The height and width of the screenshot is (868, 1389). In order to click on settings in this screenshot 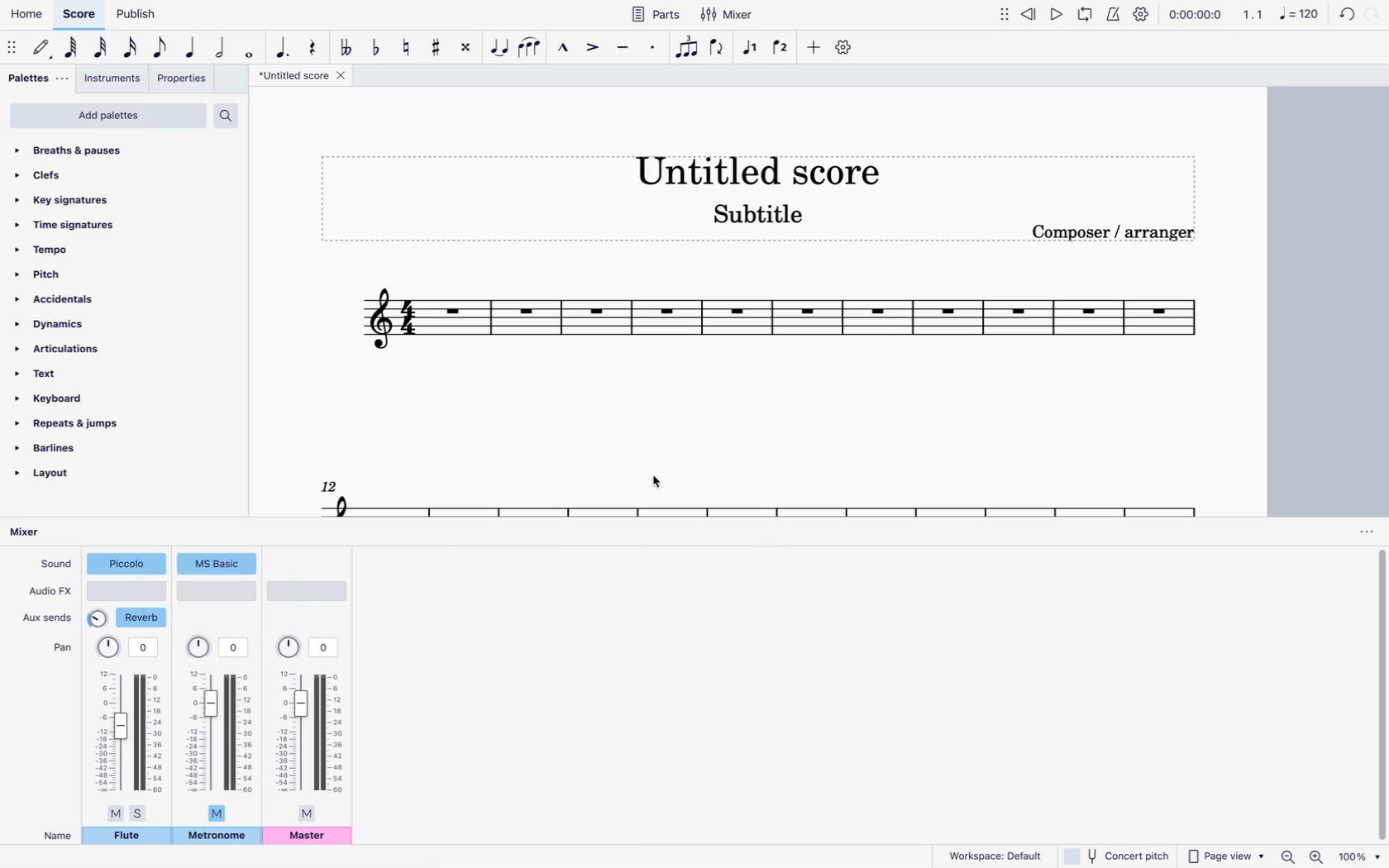, I will do `click(846, 47)`.